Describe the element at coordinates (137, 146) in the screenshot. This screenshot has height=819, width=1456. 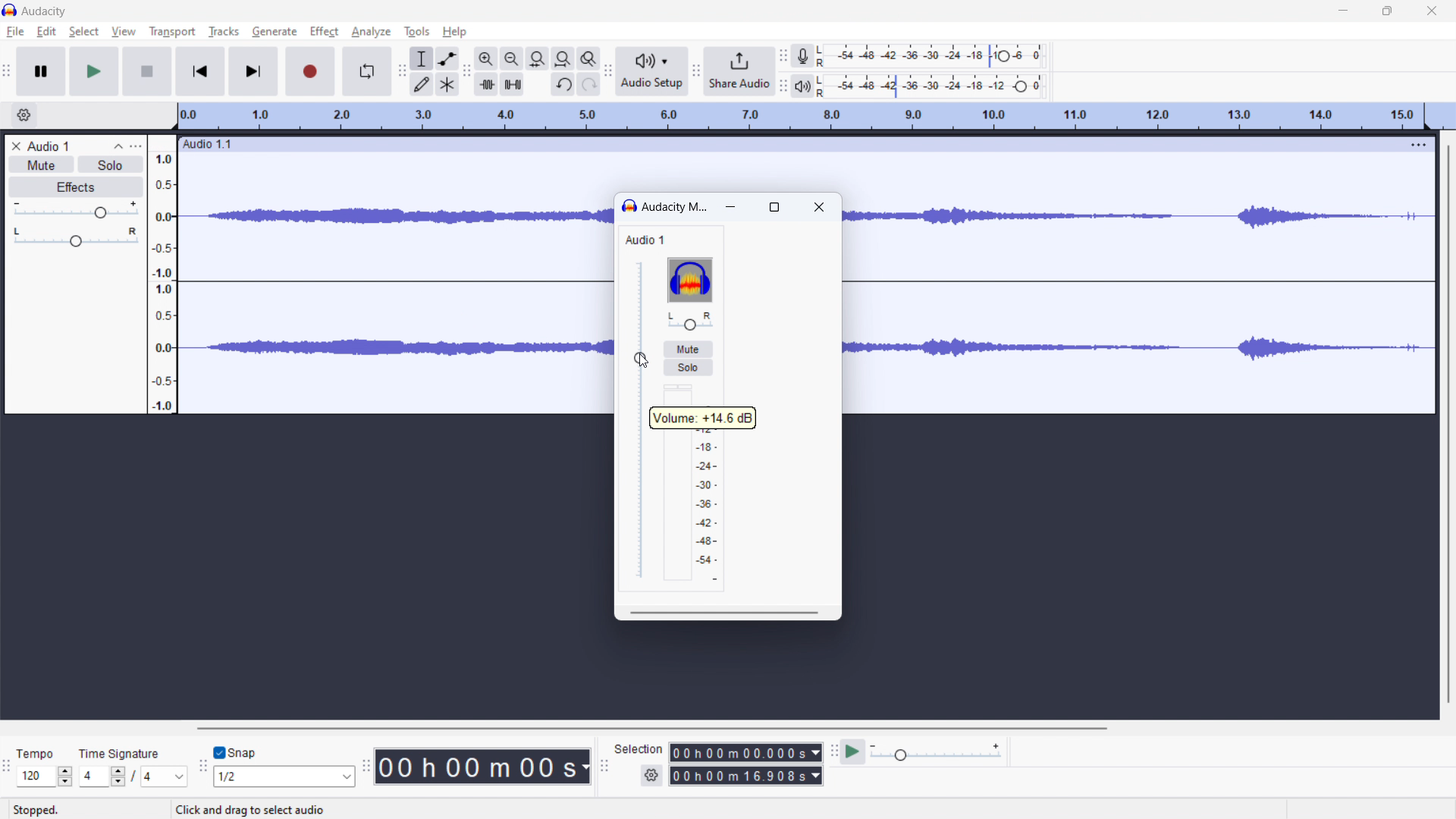
I see `view menu` at that location.